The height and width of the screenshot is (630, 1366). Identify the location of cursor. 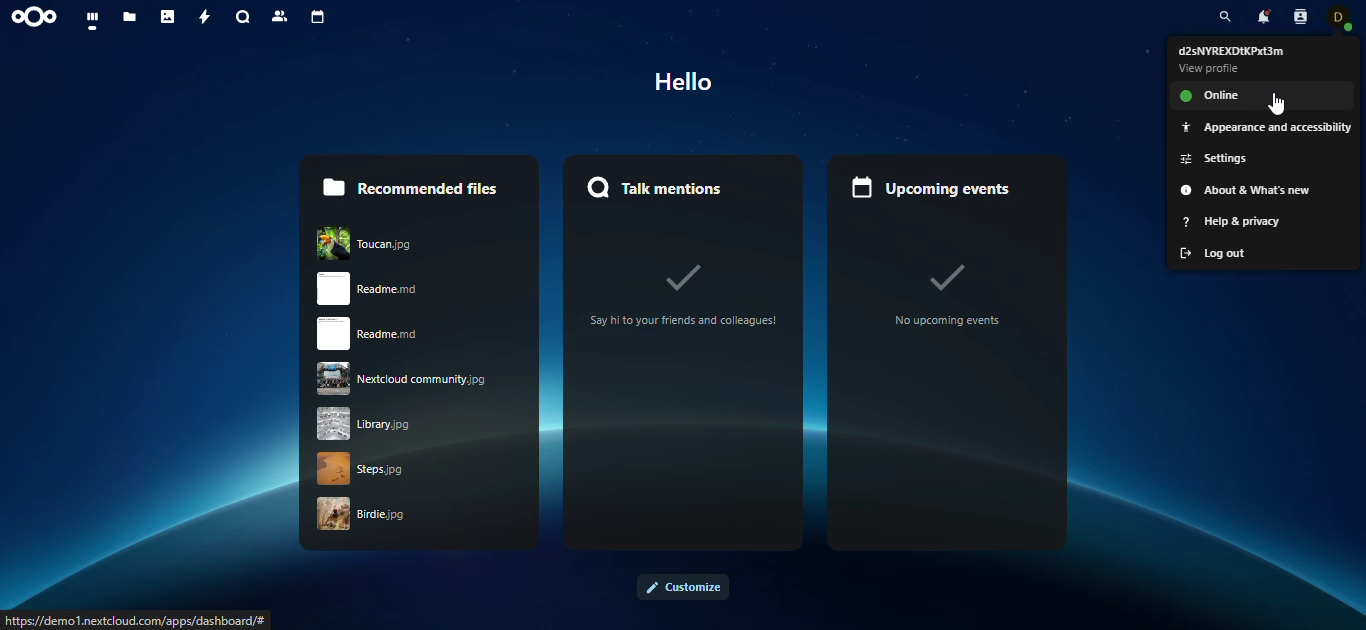
(1286, 102).